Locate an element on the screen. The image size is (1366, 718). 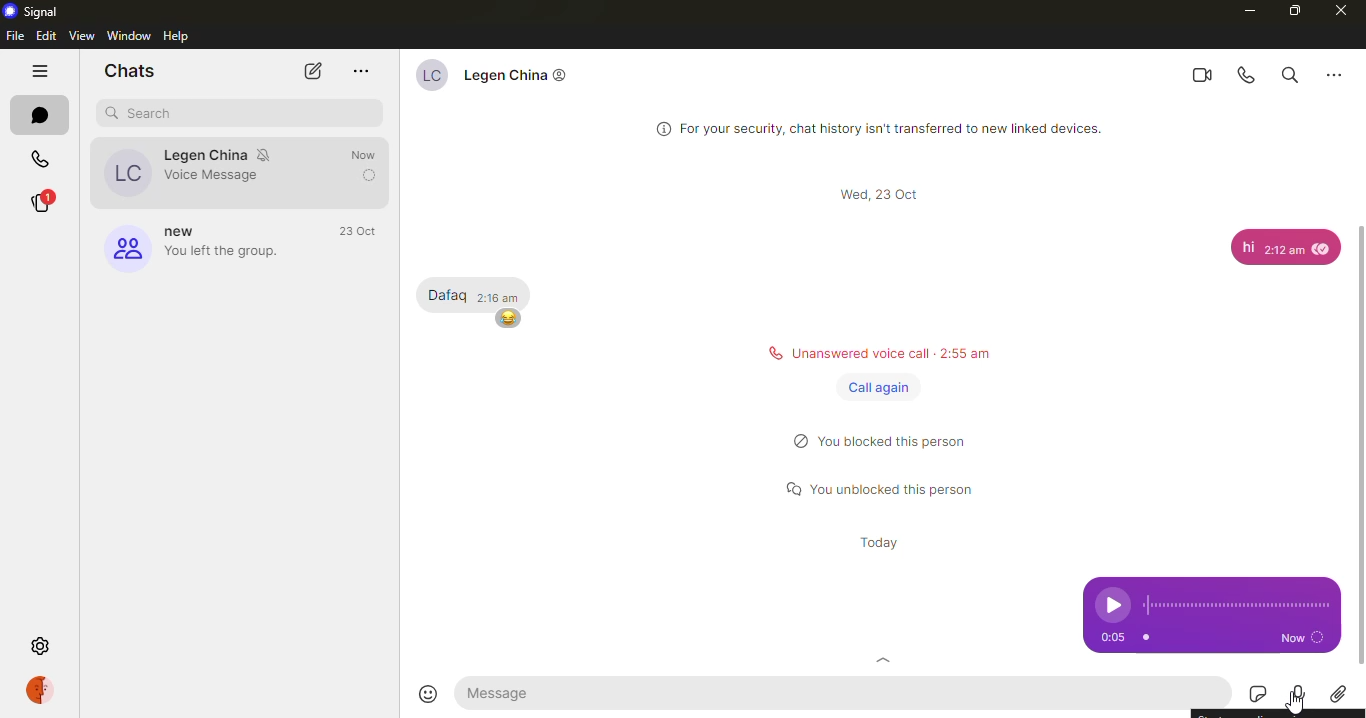
calls is located at coordinates (45, 158).